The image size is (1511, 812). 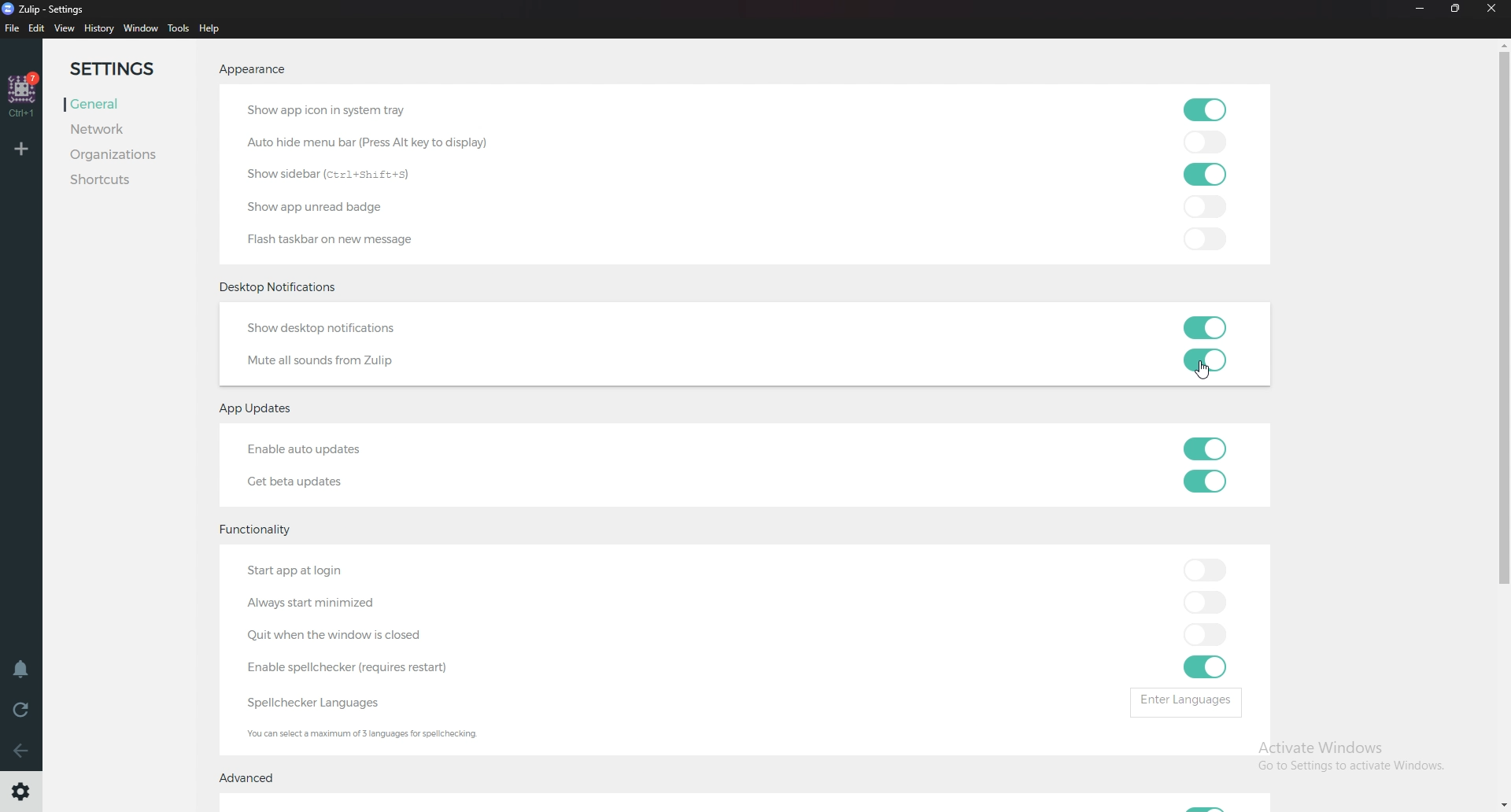 What do you see at coordinates (99, 28) in the screenshot?
I see `History` at bounding box center [99, 28].